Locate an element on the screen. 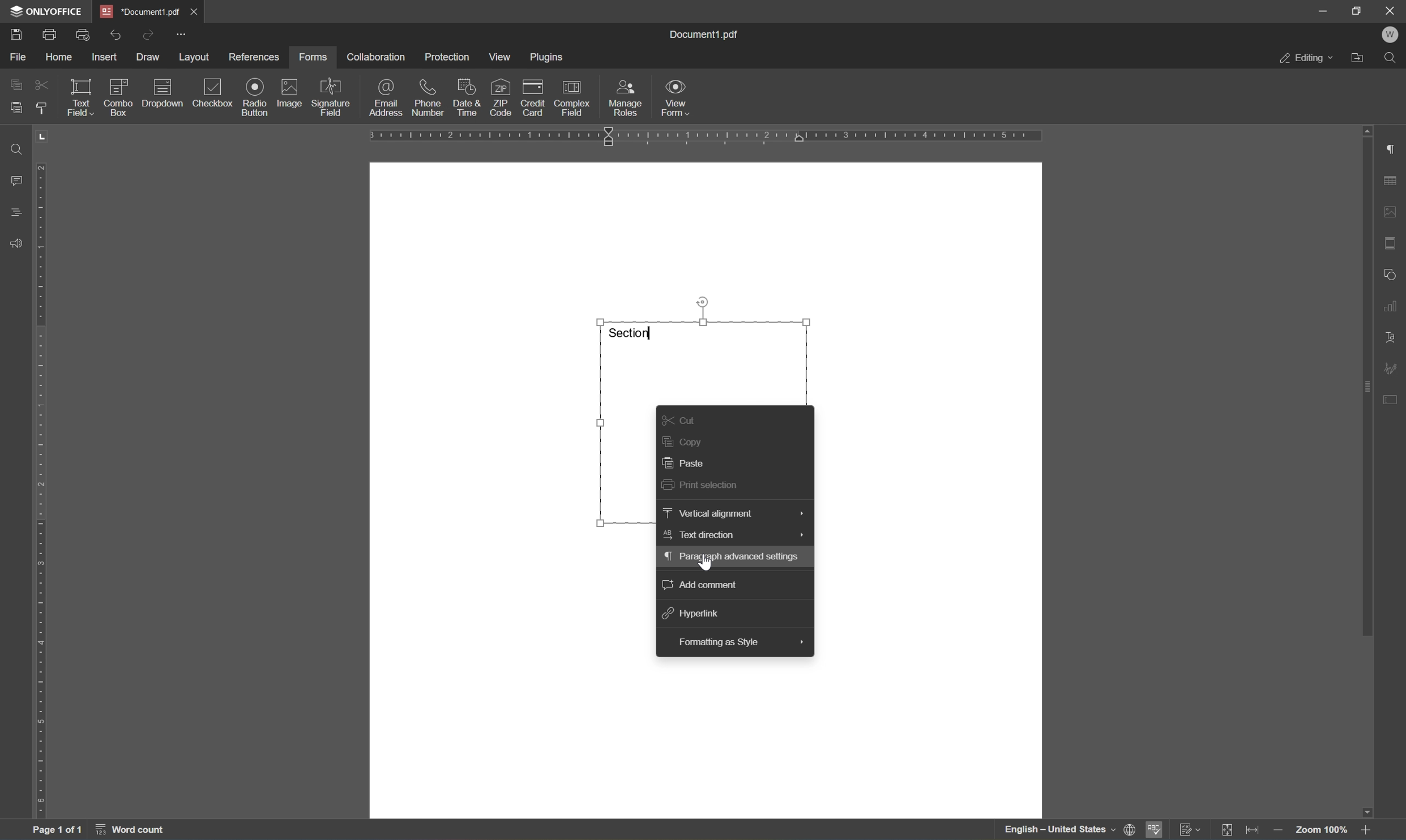  add comment is located at coordinates (700, 582).